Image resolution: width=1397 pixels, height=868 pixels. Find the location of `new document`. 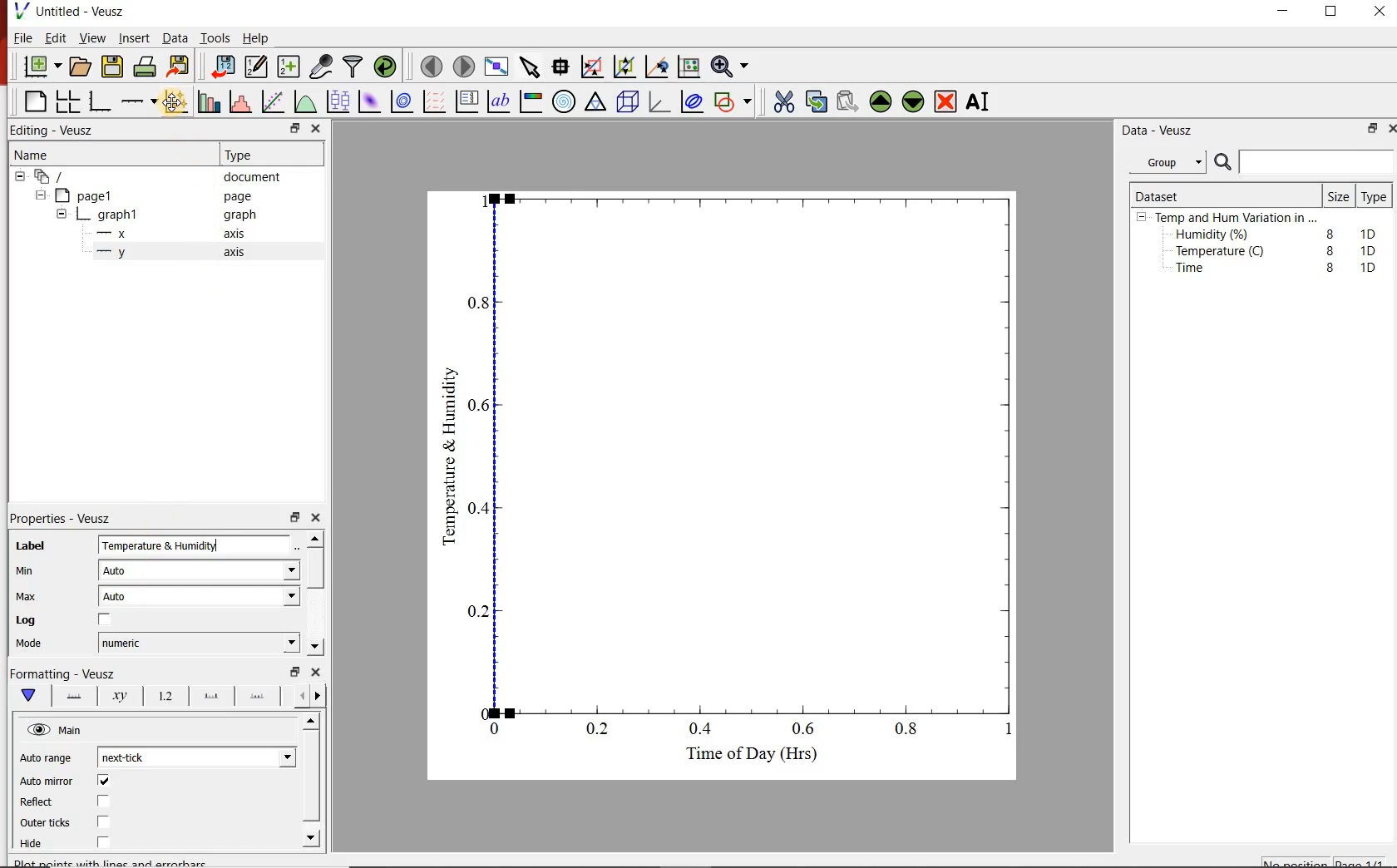

new document is located at coordinates (41, 67).